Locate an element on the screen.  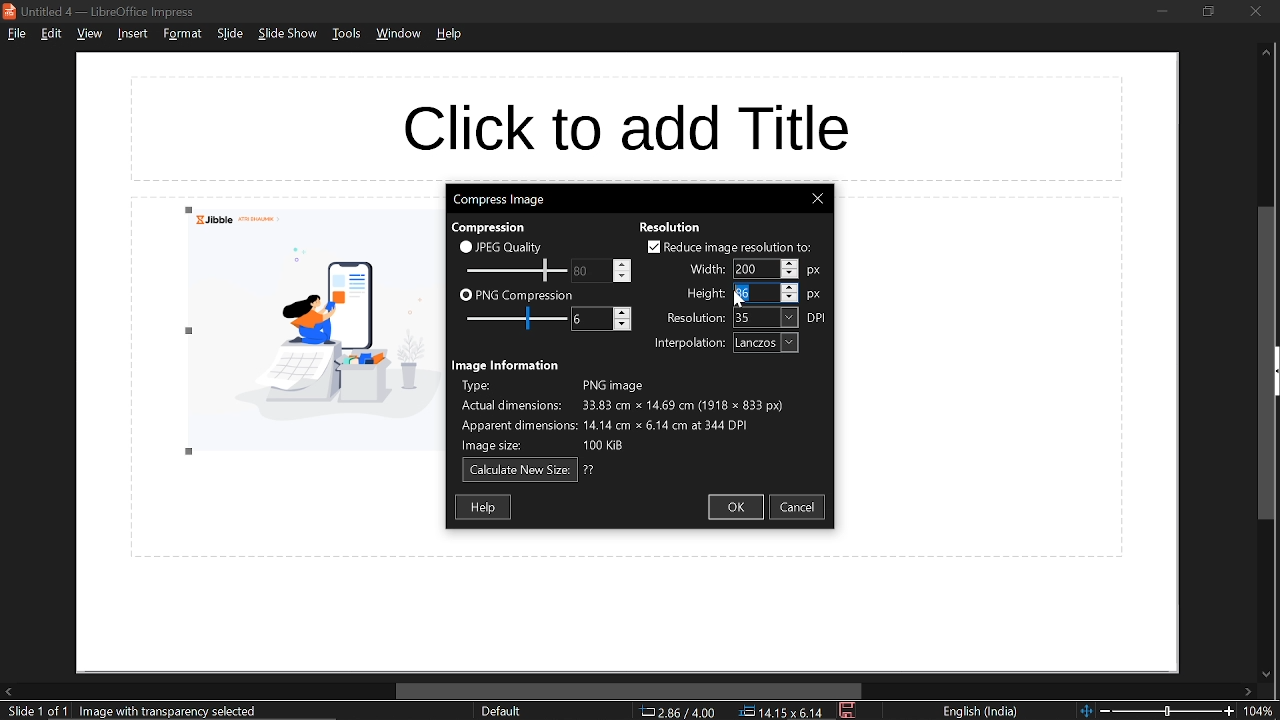
co-ordinate is located at coordinates (678, 711).